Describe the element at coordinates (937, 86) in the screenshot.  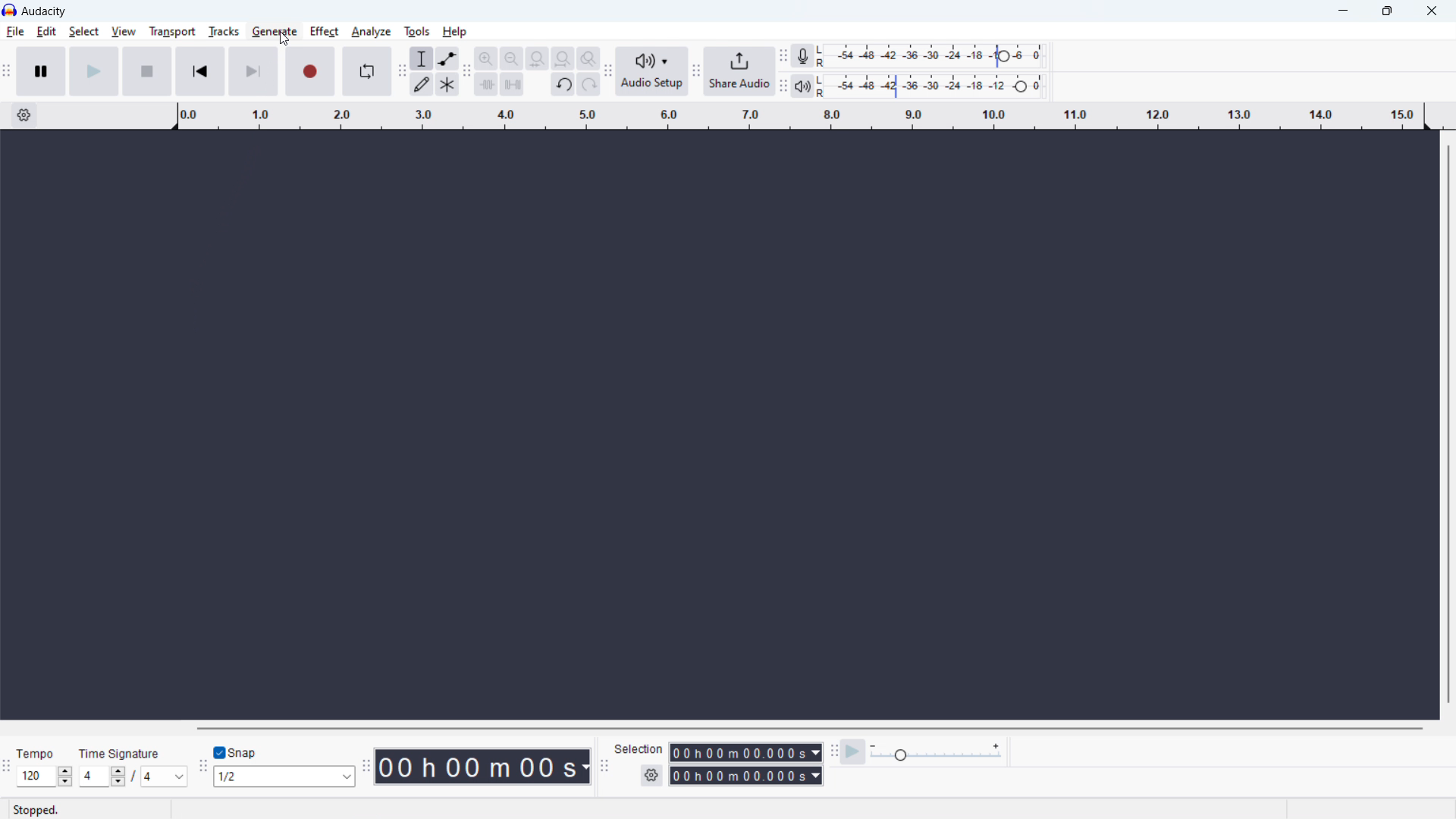
I see `playback meter` at that location.